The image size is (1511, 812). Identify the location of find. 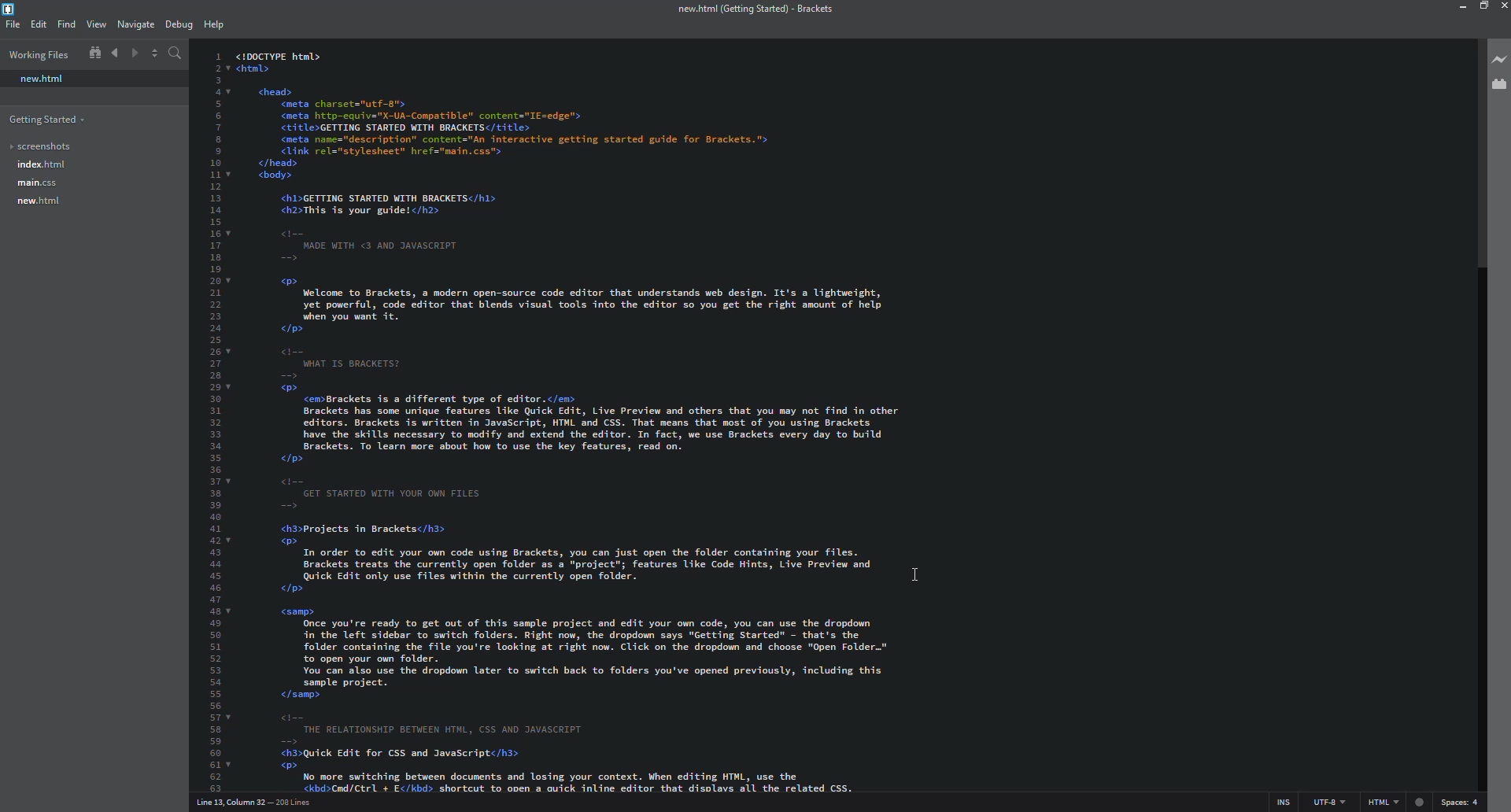
(65, 24).